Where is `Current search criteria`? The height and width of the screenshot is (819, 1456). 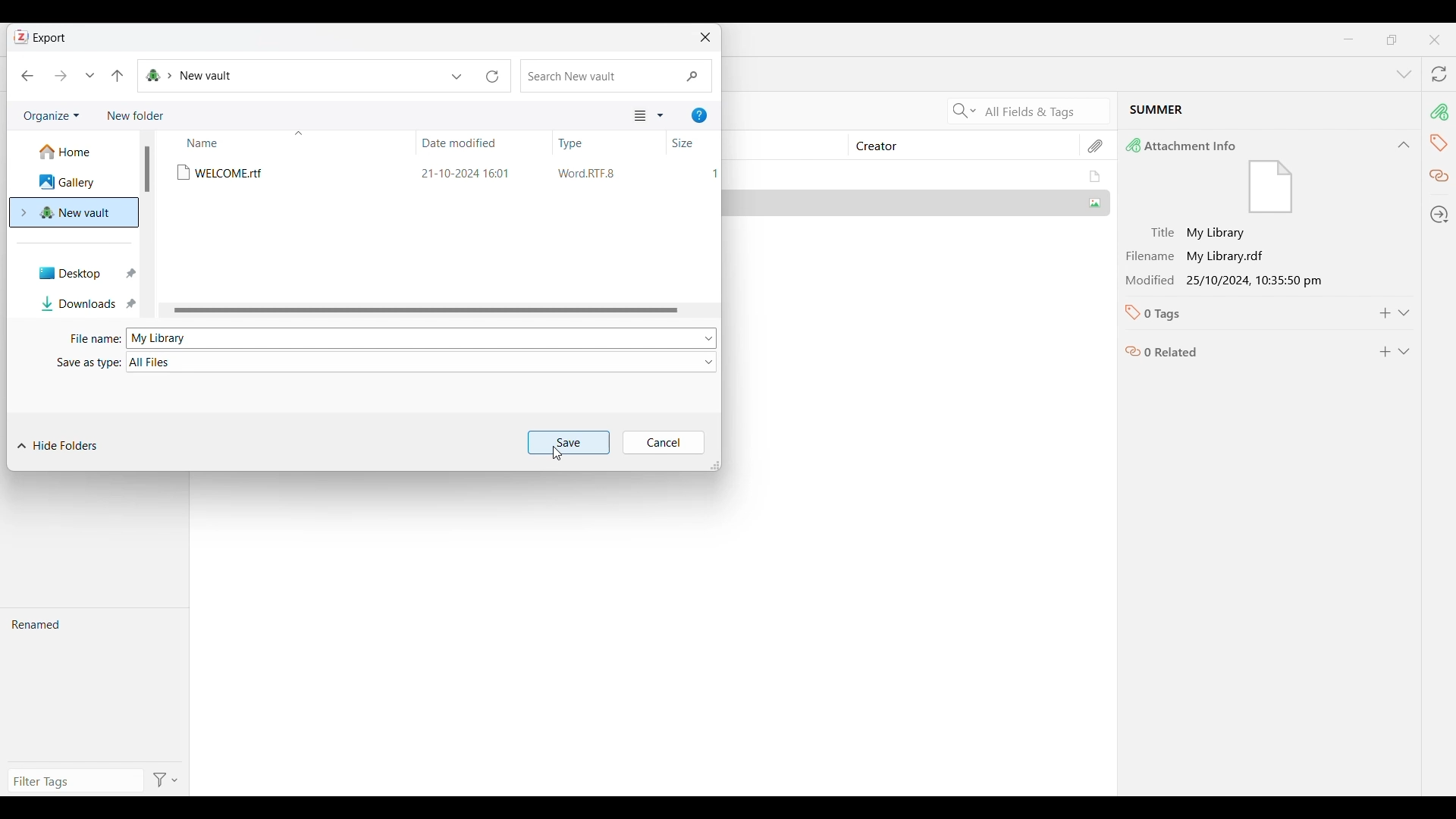
Current search criteria is located at coordinates (1043, 111).